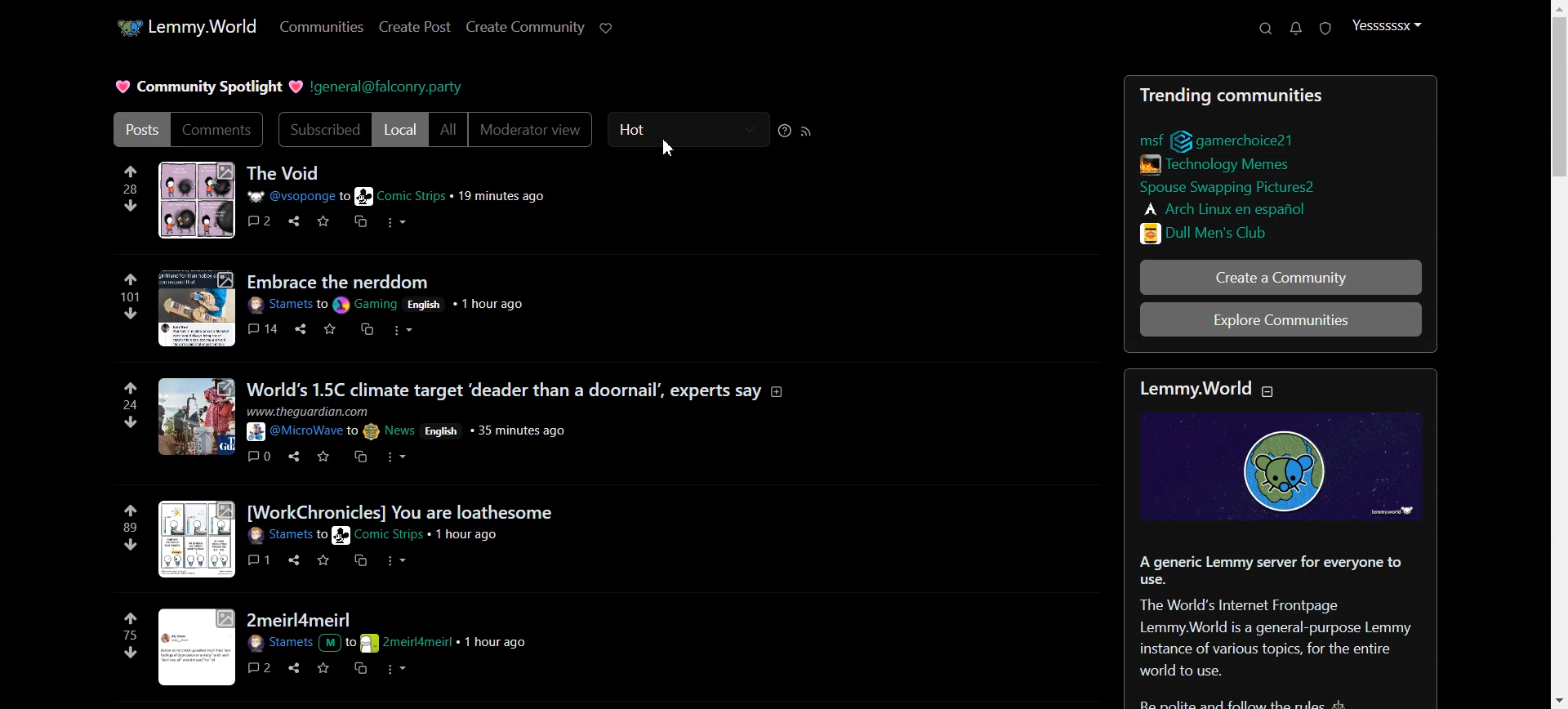 This screenshot has height=709, width=1568. Describe the element at coordinates (130, 280) in the screenshot. I see `upvote` at that location.